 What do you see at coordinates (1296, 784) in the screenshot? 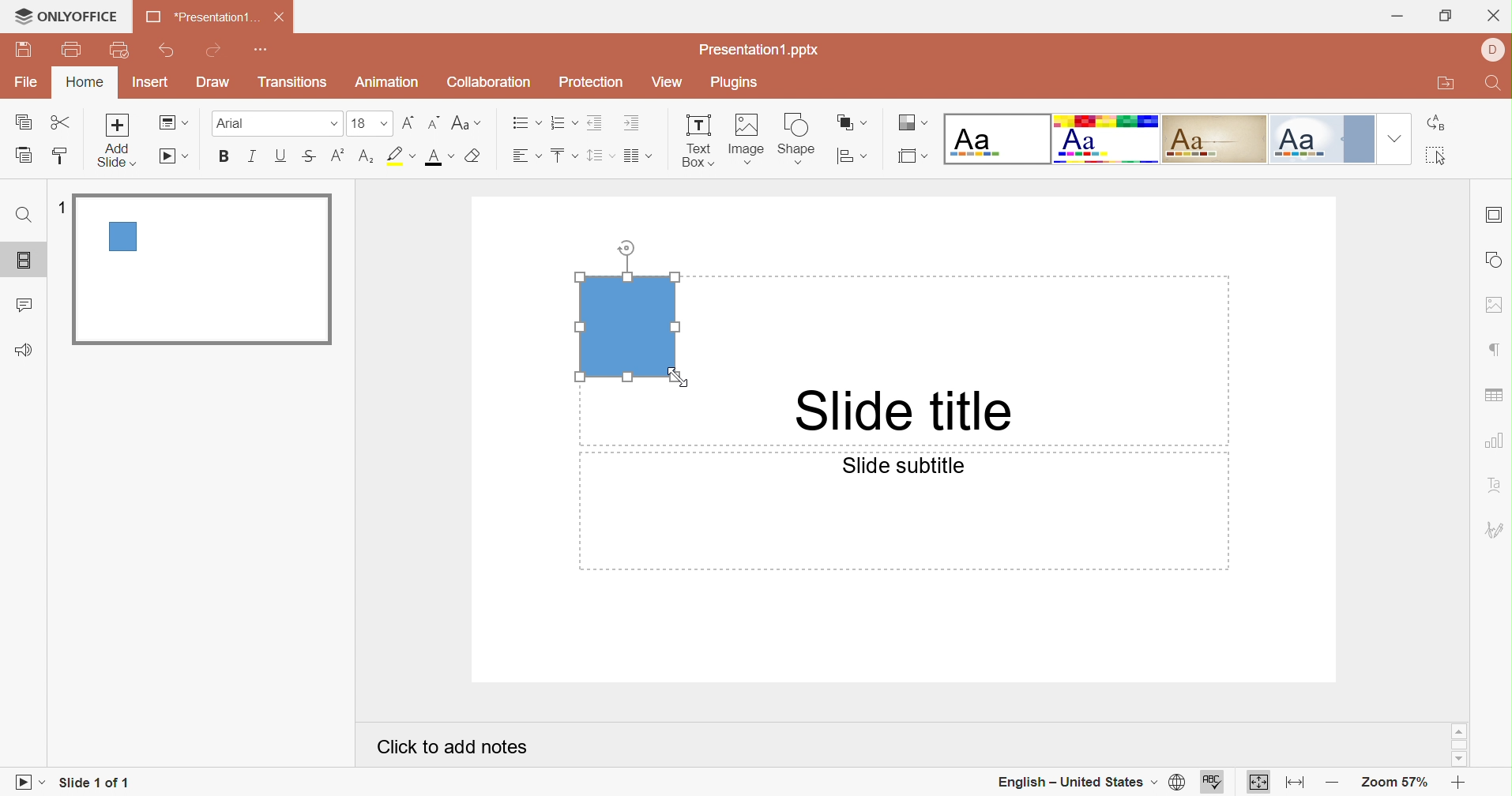
I see `Fit to width` at bounding box center [1296, 784].